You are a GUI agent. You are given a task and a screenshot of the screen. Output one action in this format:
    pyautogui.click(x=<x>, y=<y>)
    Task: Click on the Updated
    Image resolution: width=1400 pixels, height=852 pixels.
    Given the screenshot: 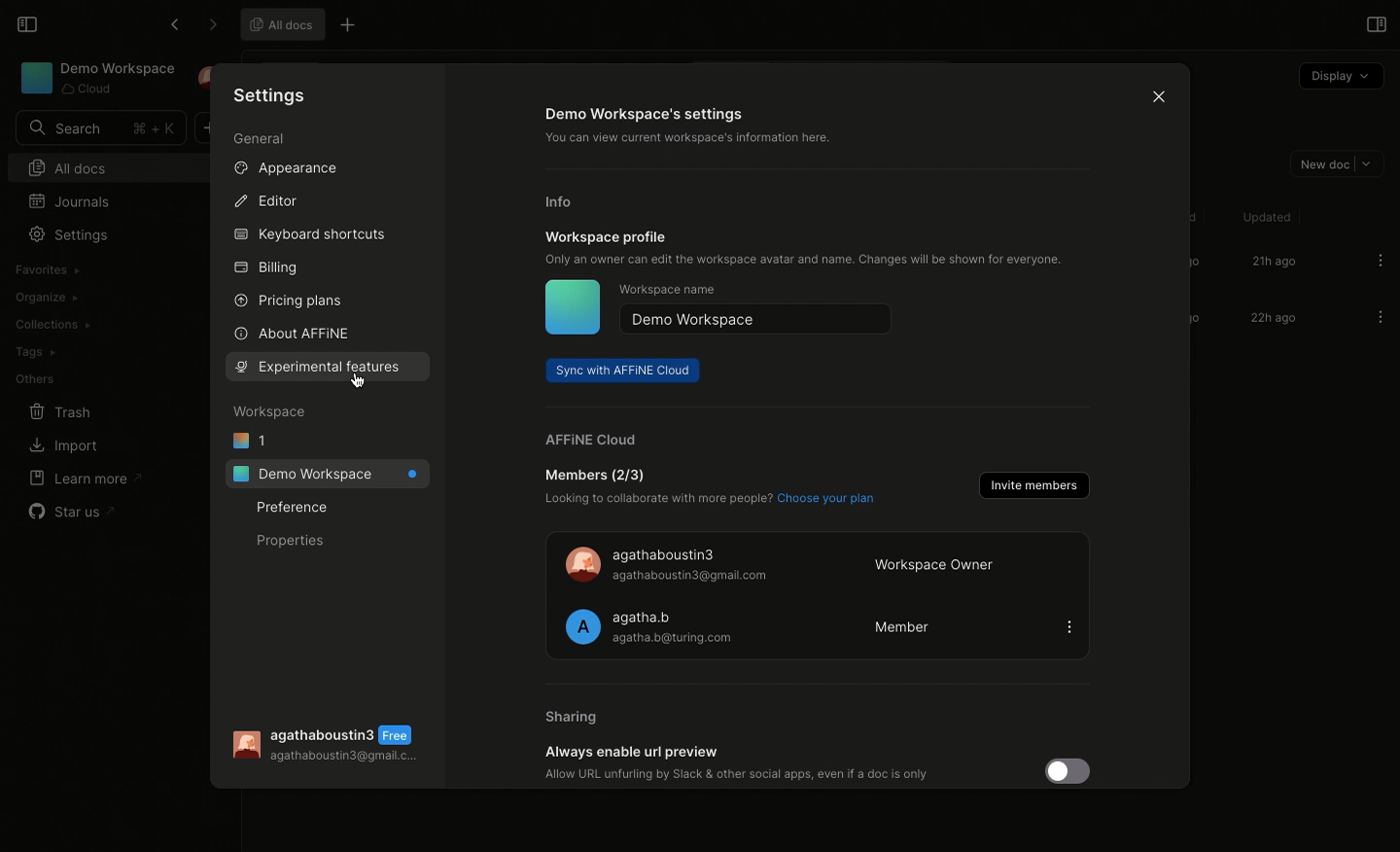 What is the action you would take?
    pyautogui.click(x=1264, y=217)
    